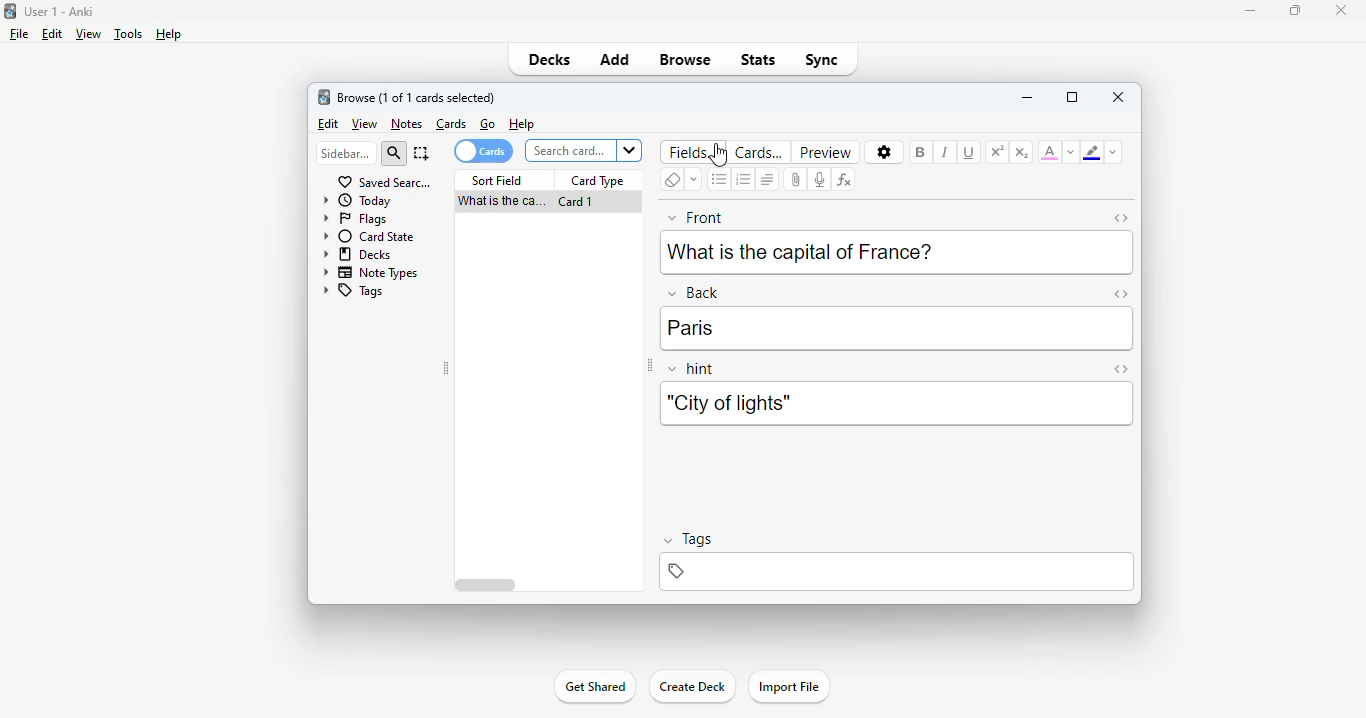  I want to click on edit, so click(52, 34).